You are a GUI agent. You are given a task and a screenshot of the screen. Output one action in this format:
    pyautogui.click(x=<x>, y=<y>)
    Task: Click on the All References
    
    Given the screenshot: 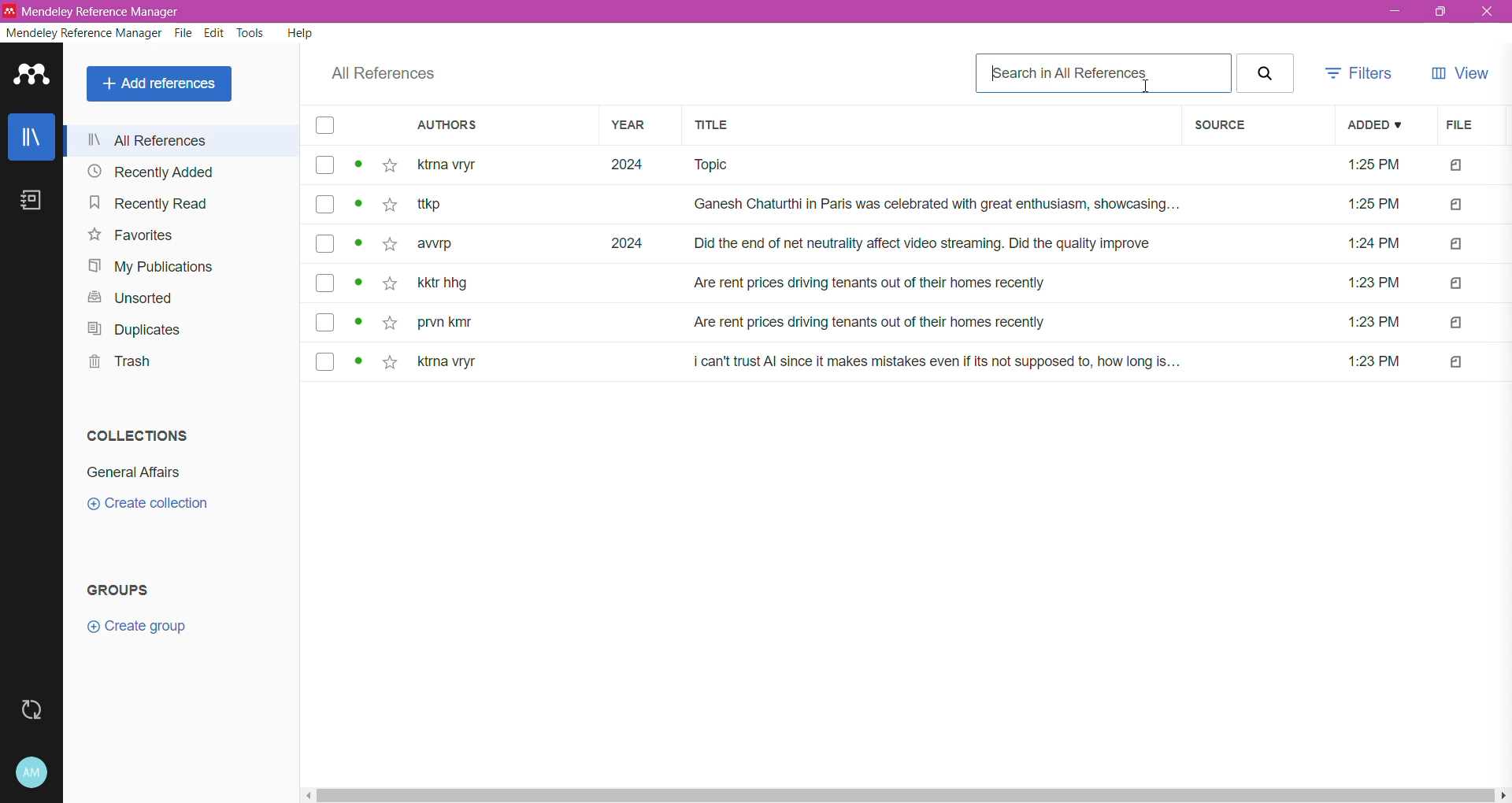 What is the action you would take?
    pyautogui.click(x=381, y=74)
    